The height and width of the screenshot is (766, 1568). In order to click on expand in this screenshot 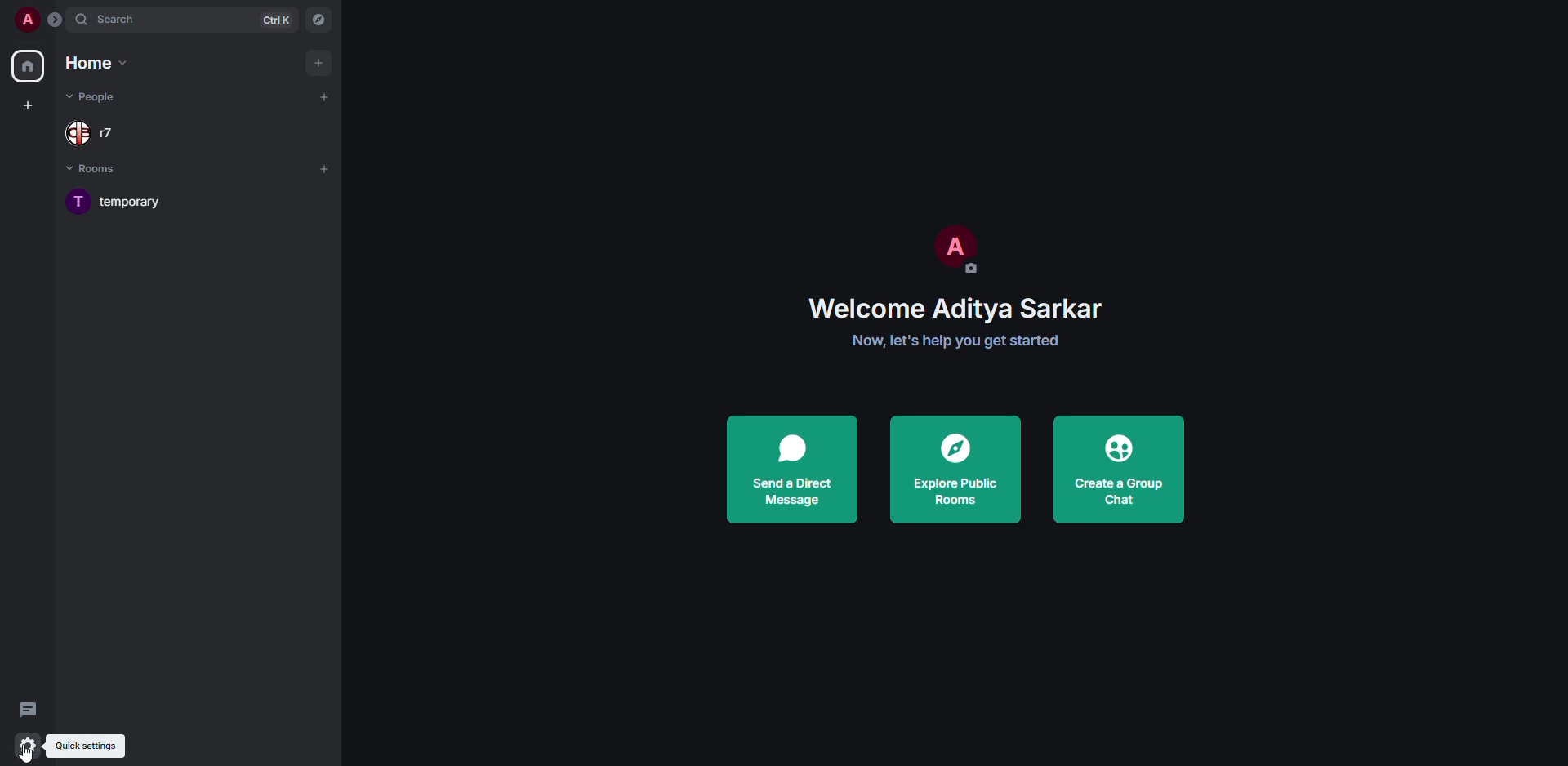, I will do `click(56, 20)`.